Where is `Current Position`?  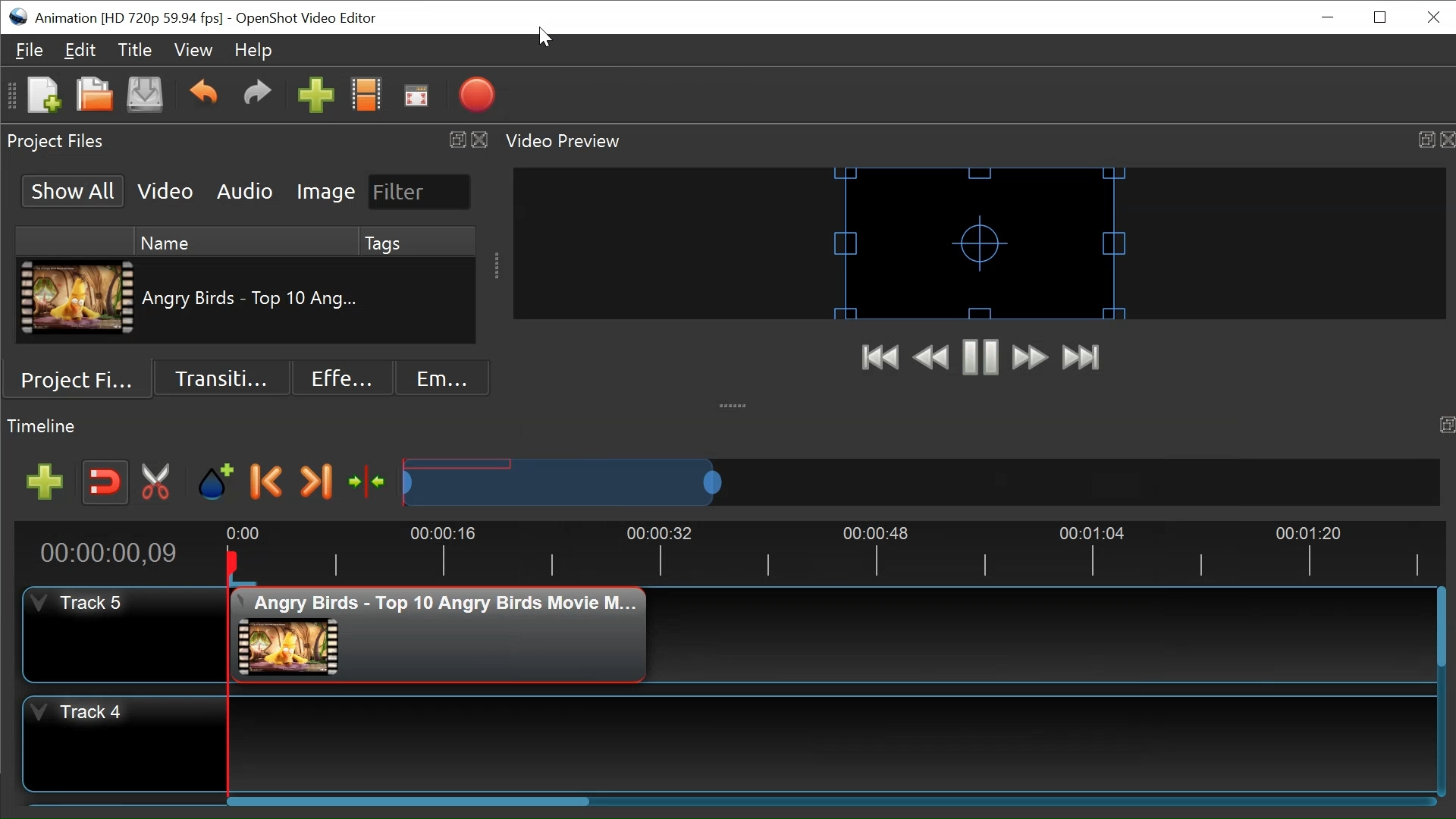 Current Position is located at coordinates (113, 554).